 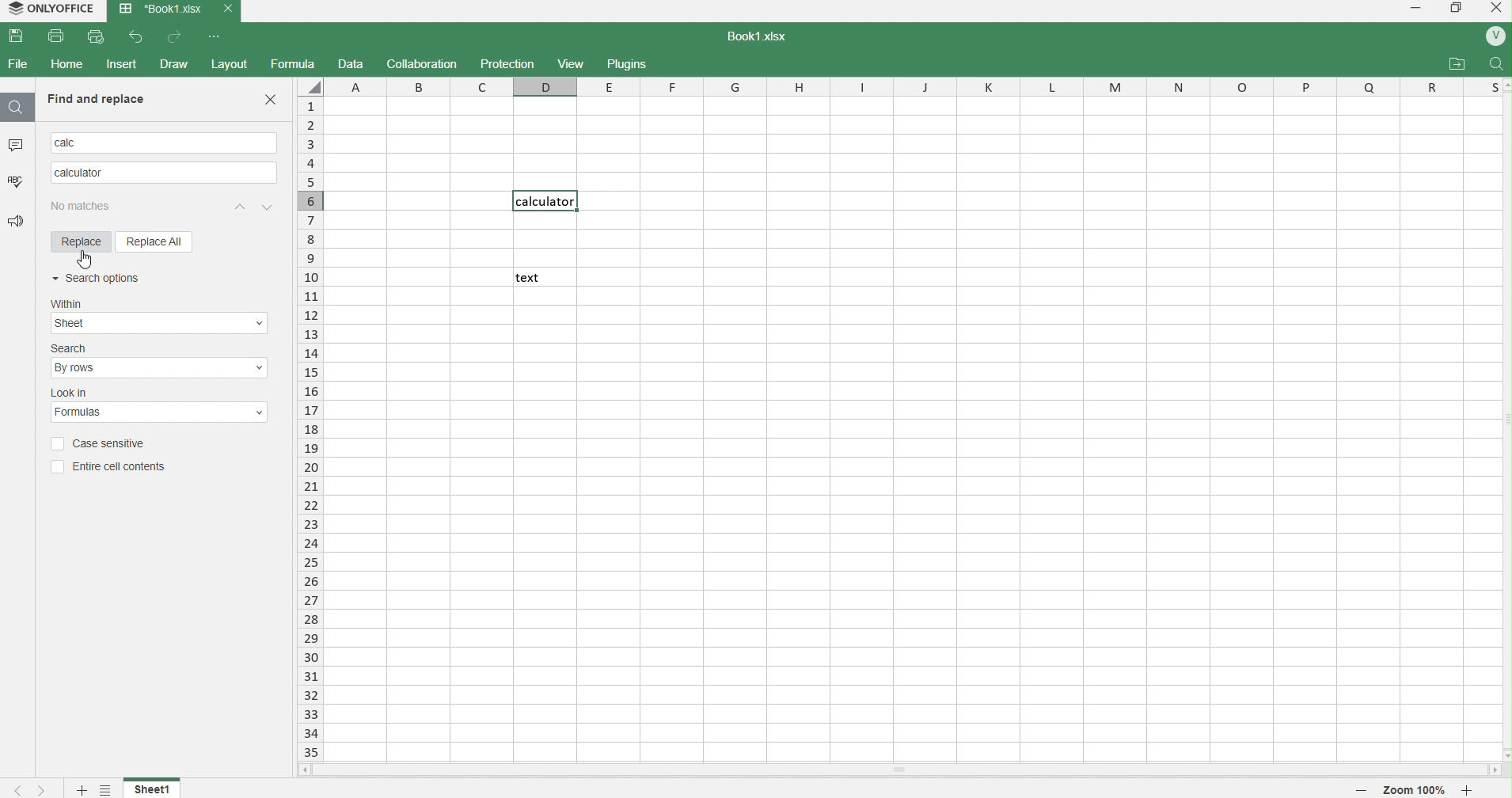 What do you see at coordinates (161, 174) in the screenshot?
I see `replacing Text Calculator` at bounding box center [161, 174].